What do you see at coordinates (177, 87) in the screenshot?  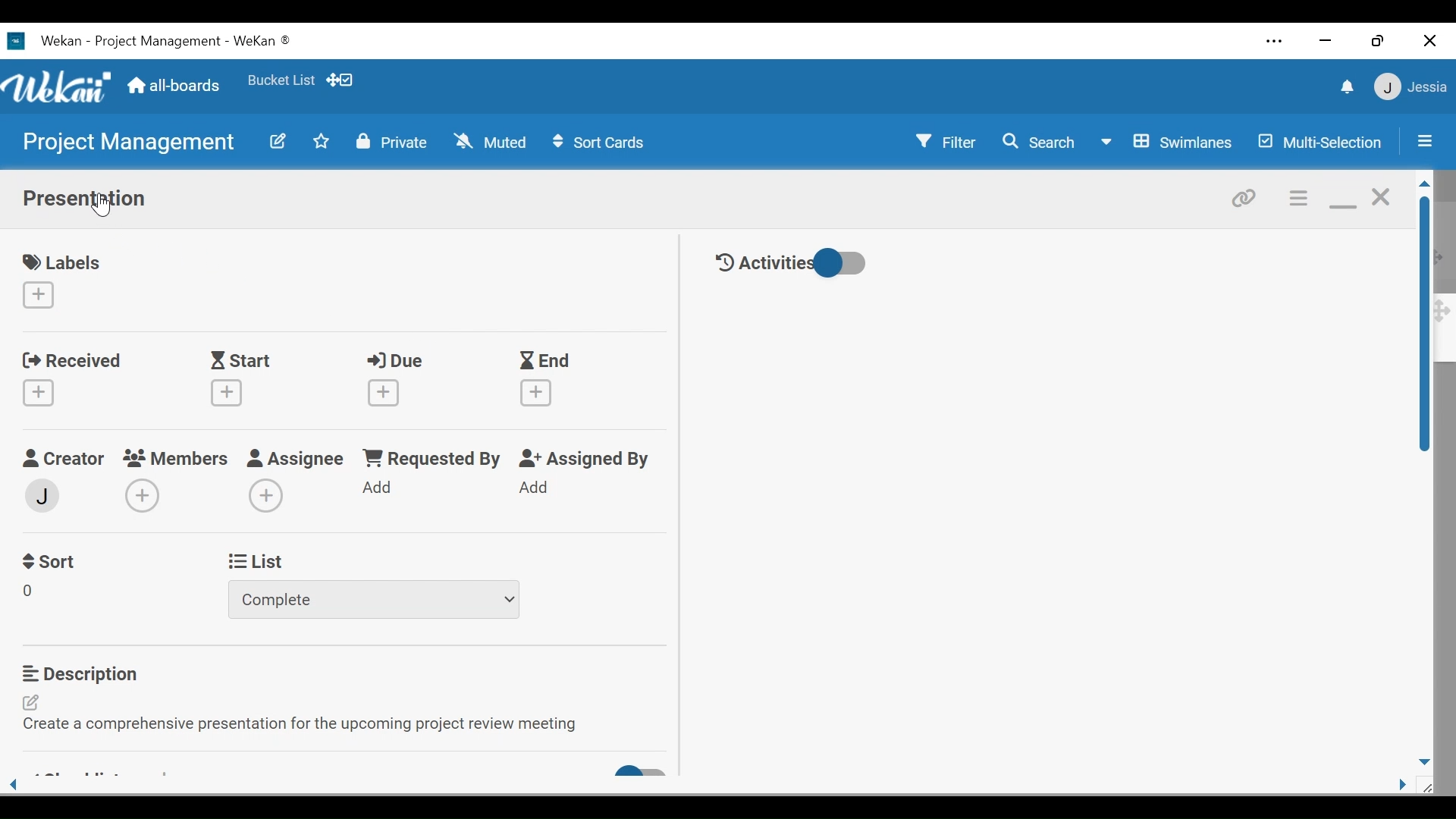 I see `All boards` at bounding box center [177, 87].